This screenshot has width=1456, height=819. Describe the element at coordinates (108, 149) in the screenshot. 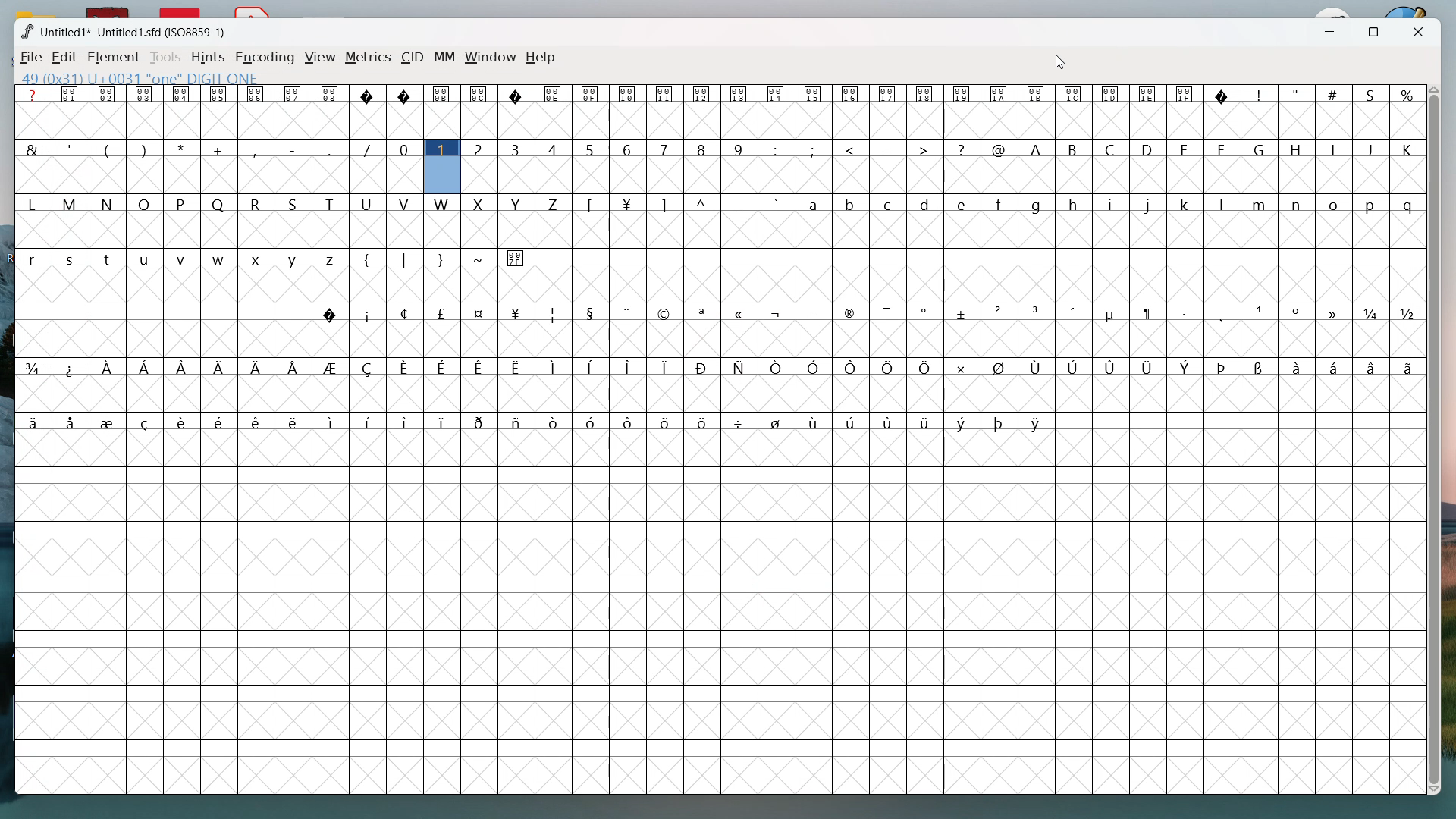

I see `(` at that location.